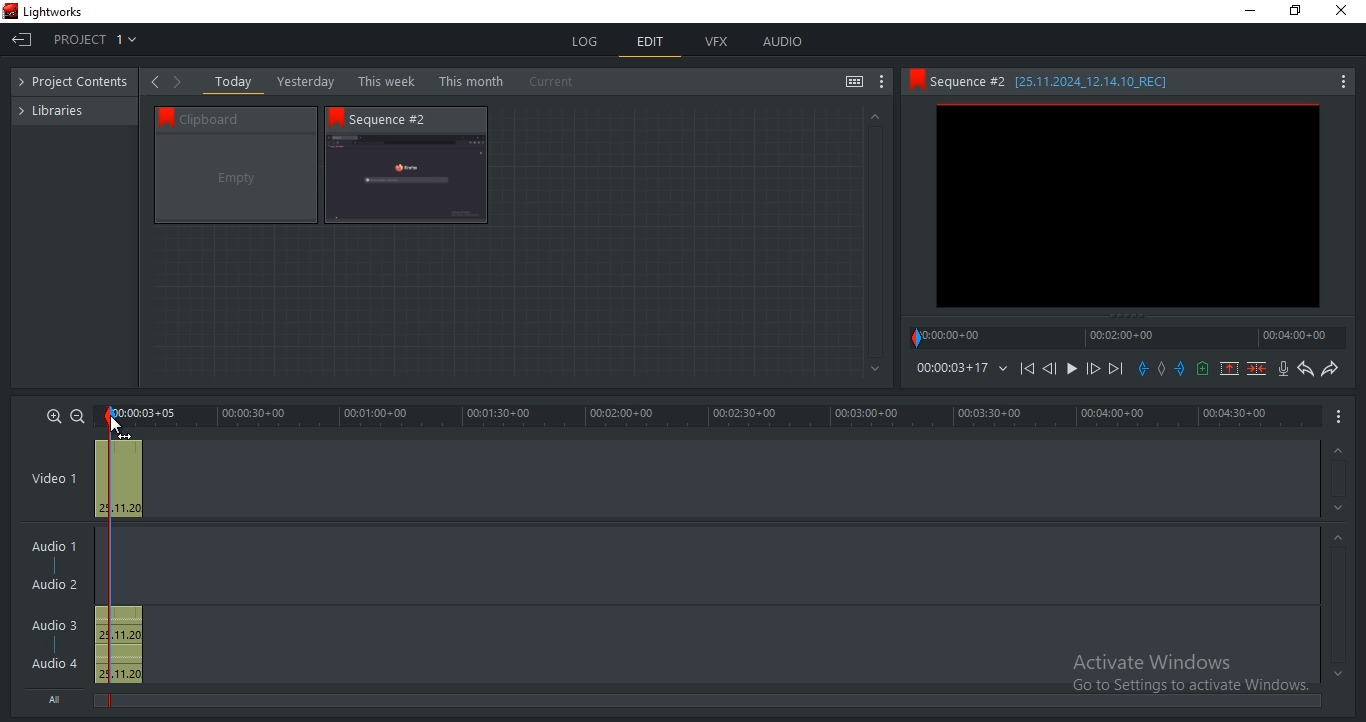  I want to click on Greyed out down arrow, so click(1341, 511).